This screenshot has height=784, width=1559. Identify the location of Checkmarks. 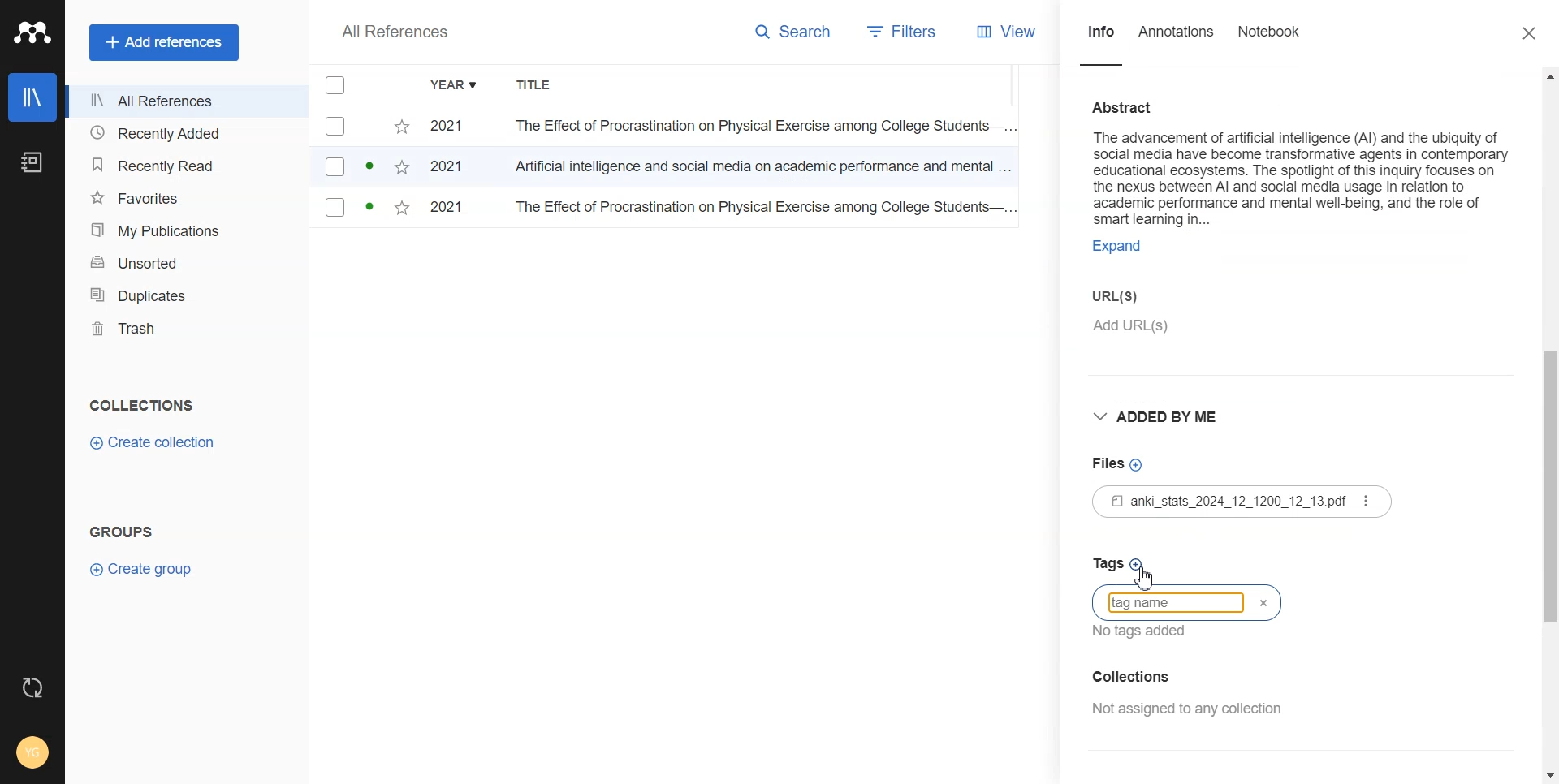
(336, 86).